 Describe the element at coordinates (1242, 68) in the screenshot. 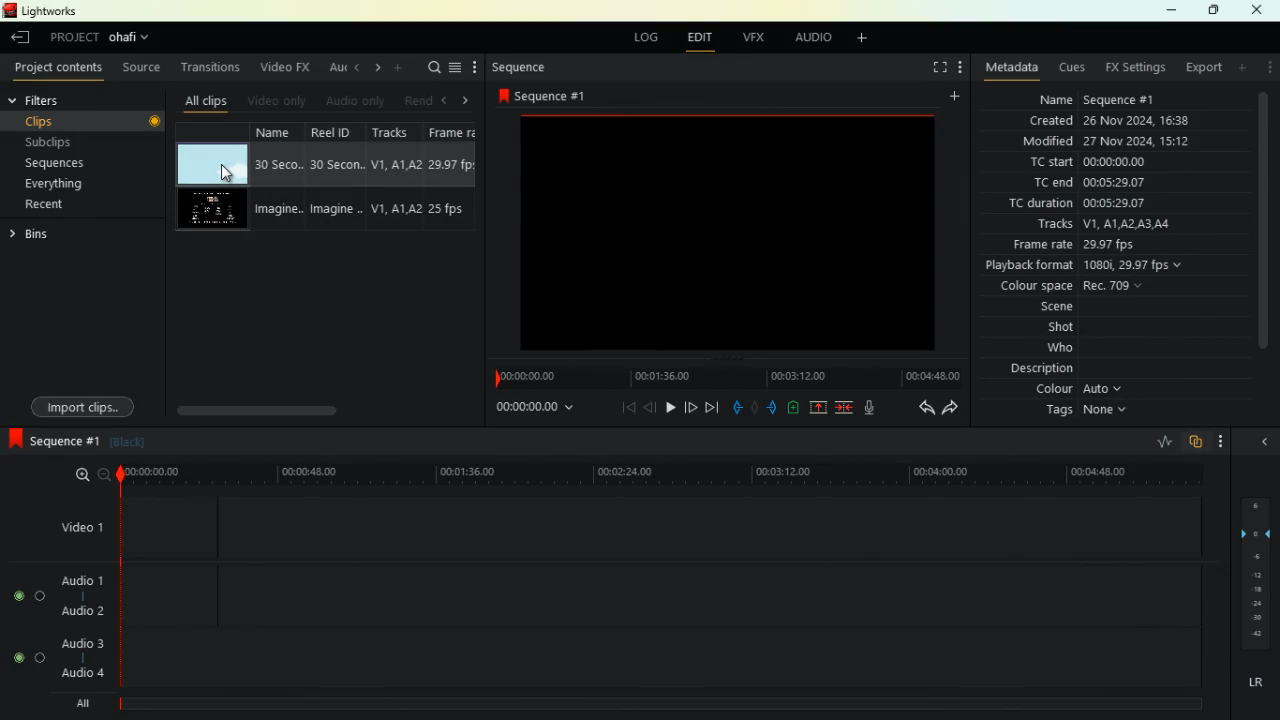

I see `add` at that location.